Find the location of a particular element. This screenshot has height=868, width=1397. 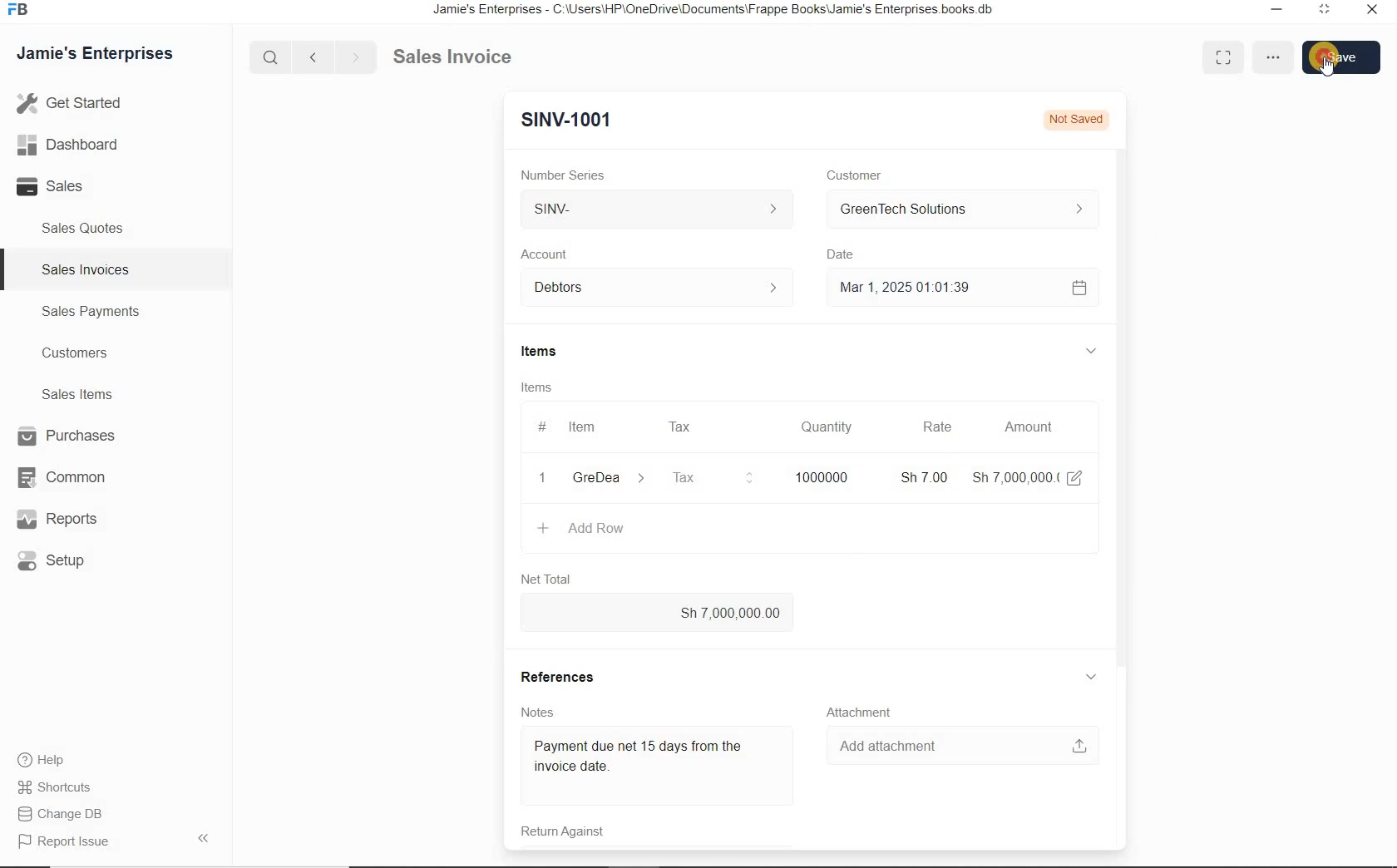

Report Issue is located at coordinates (62, 842).